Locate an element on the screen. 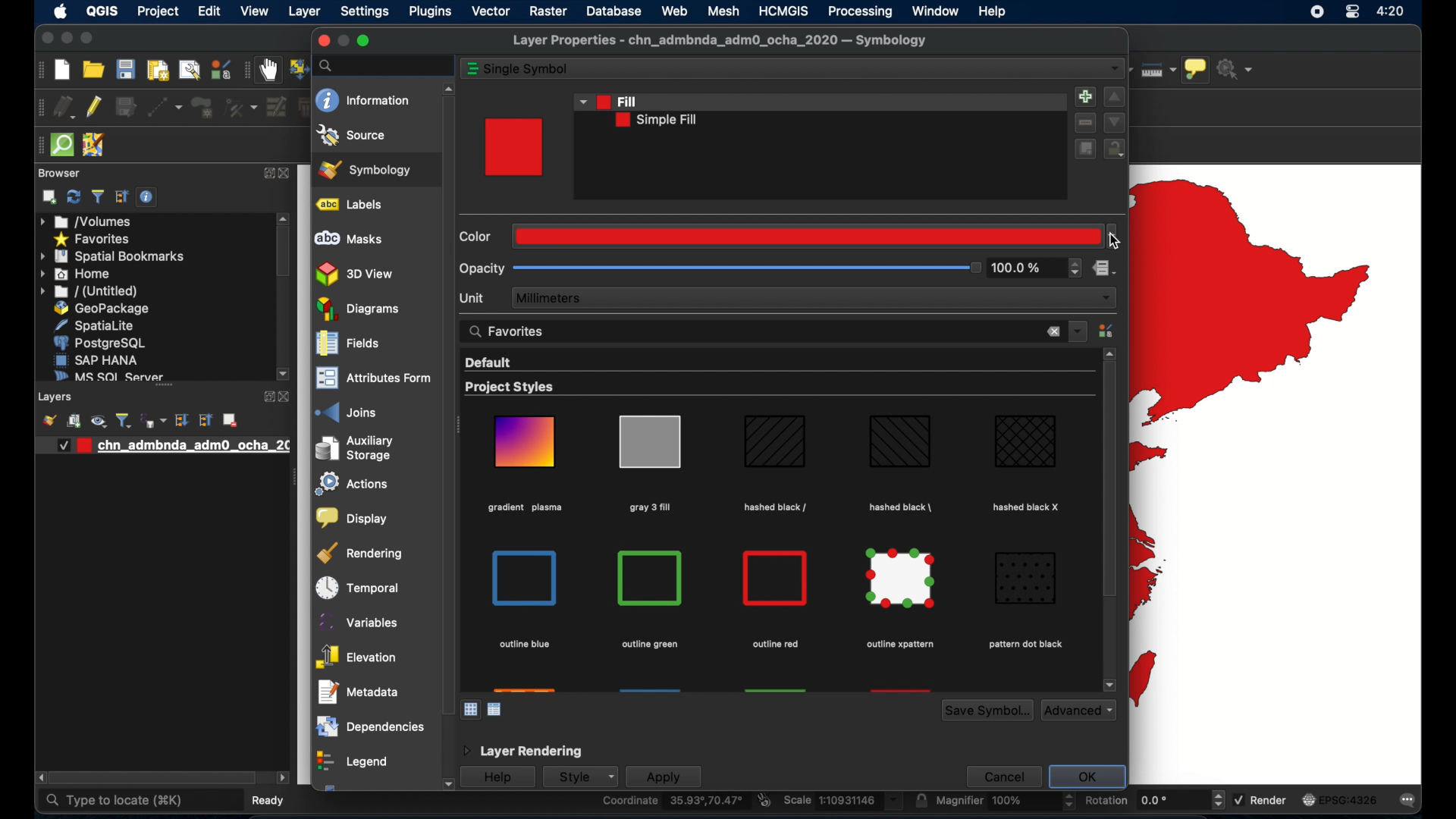 This screenshot has width=1456, height=819. save edits is located at coordinates (127, 108).